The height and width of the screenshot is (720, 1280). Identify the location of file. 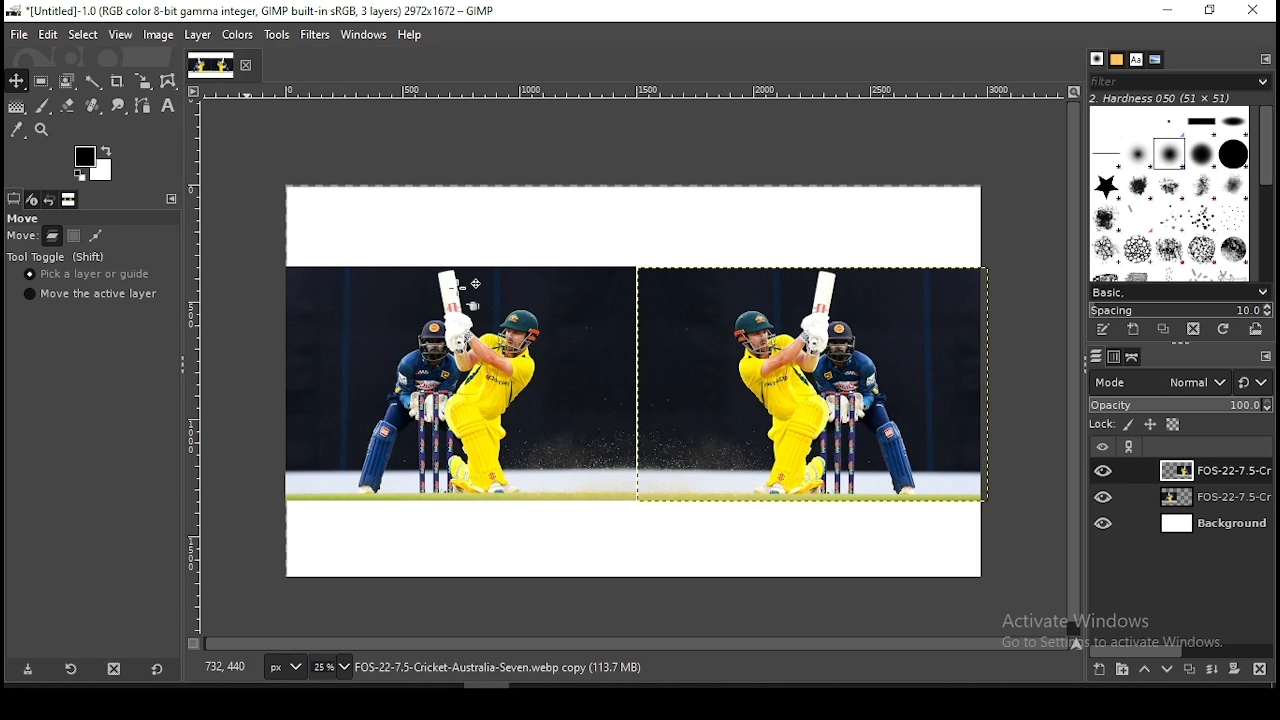
(19, 33).